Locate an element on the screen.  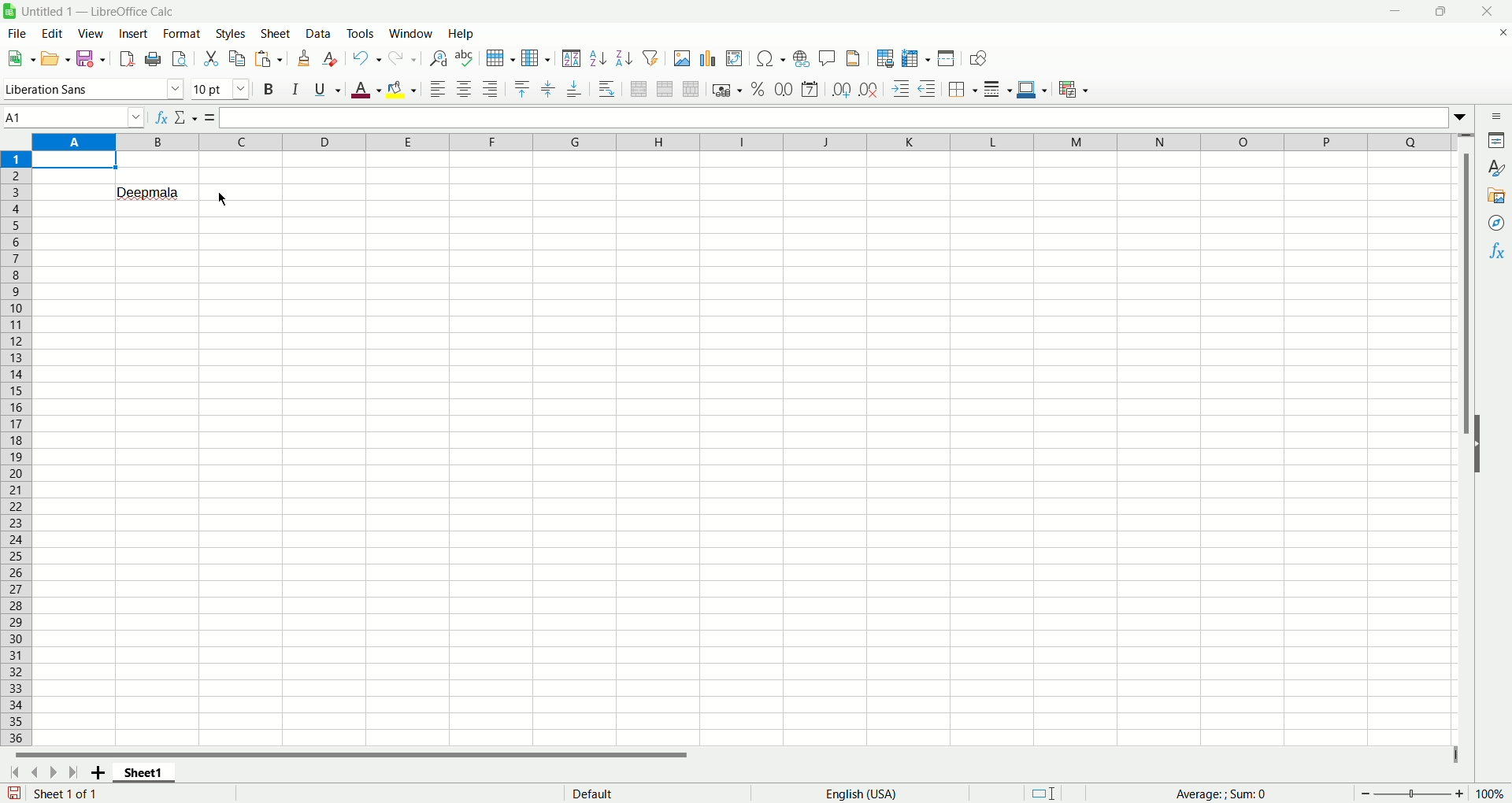
Navigator is located at coordinates (1494, 224).